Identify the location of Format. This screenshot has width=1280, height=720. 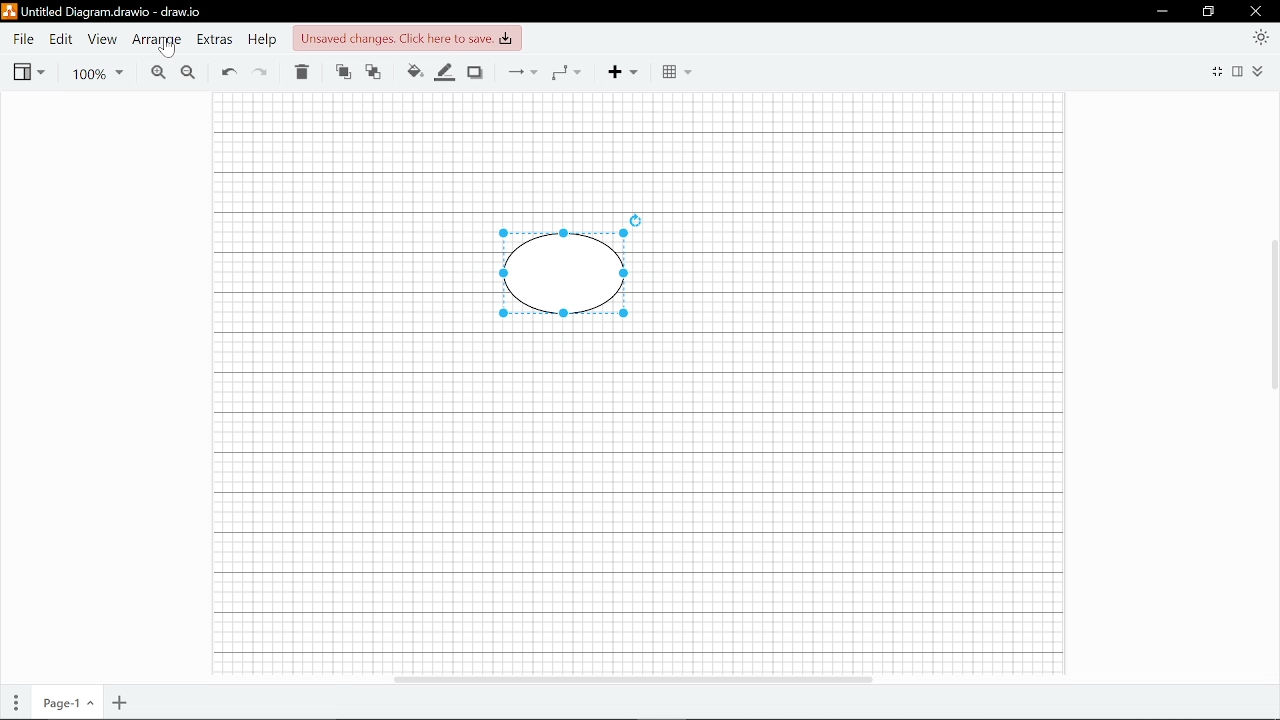
(1240, 71).